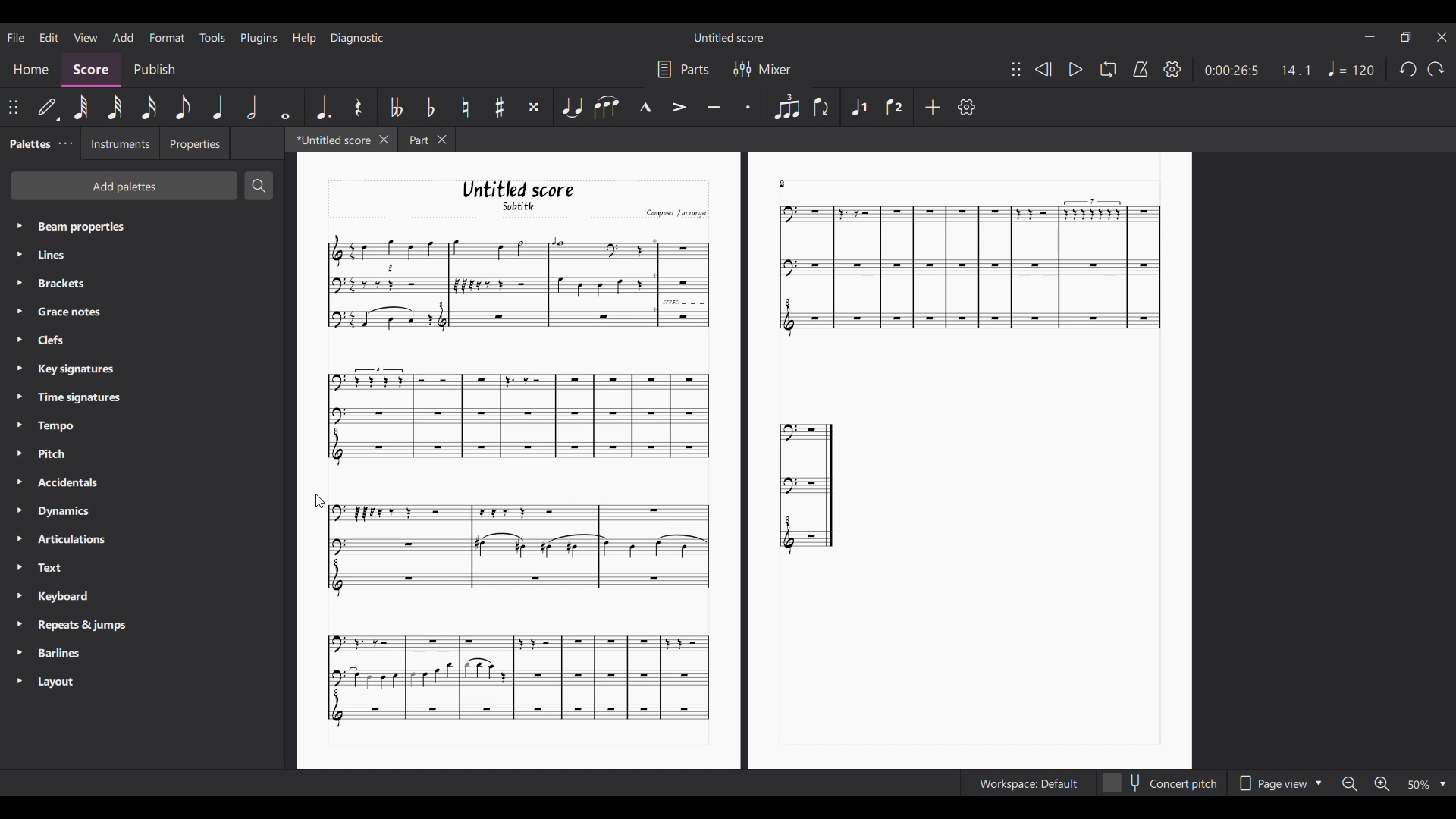 The image size is (1456, 819). I want to click on Tab settings, so click(65, 143).